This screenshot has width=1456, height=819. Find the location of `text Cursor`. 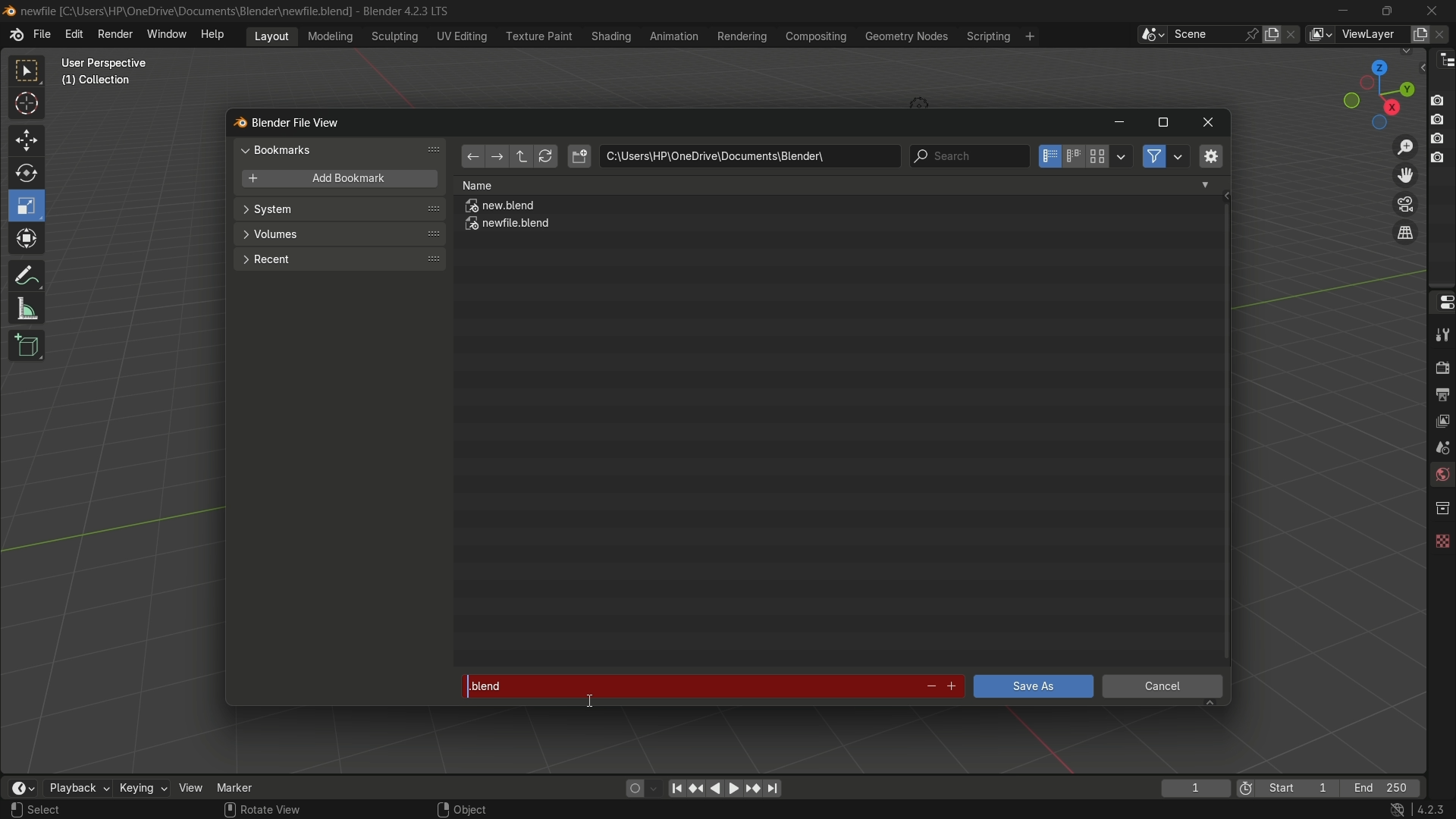

text Cursor is located at coordinates (593, 698).